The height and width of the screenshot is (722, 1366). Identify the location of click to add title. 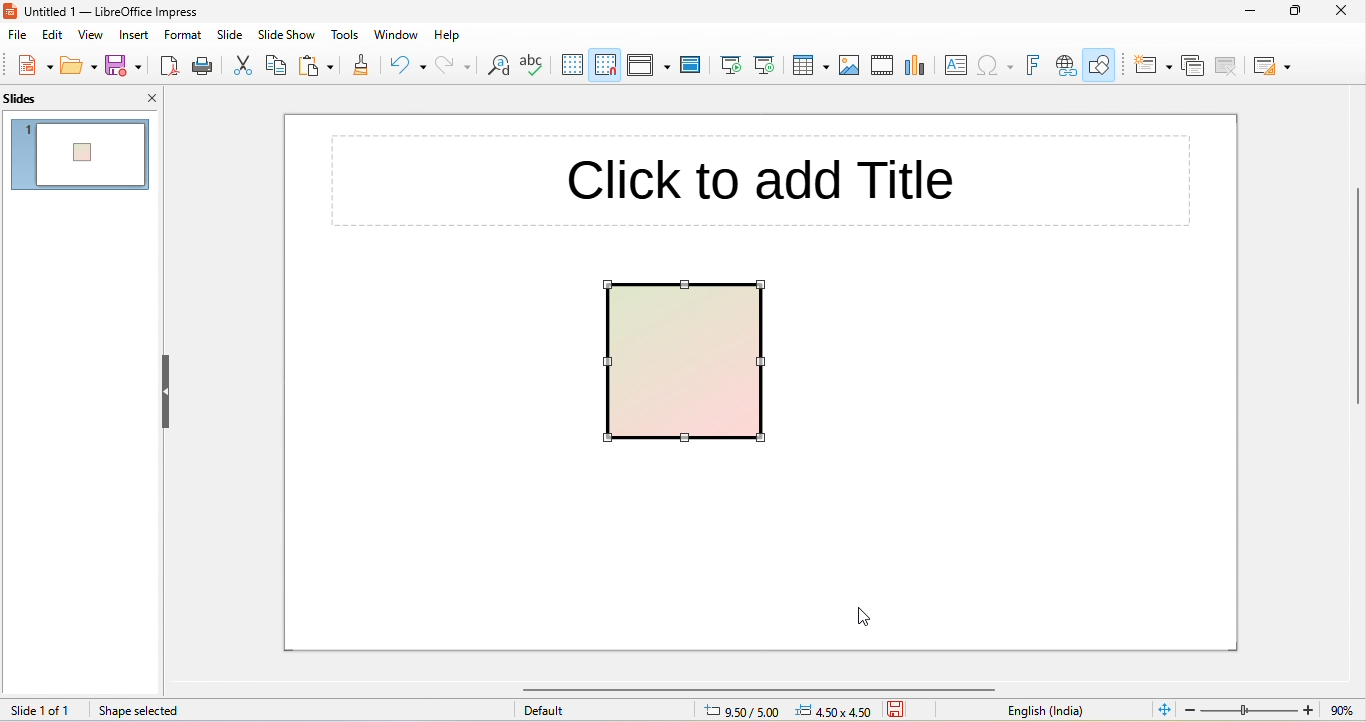
(755, 176).